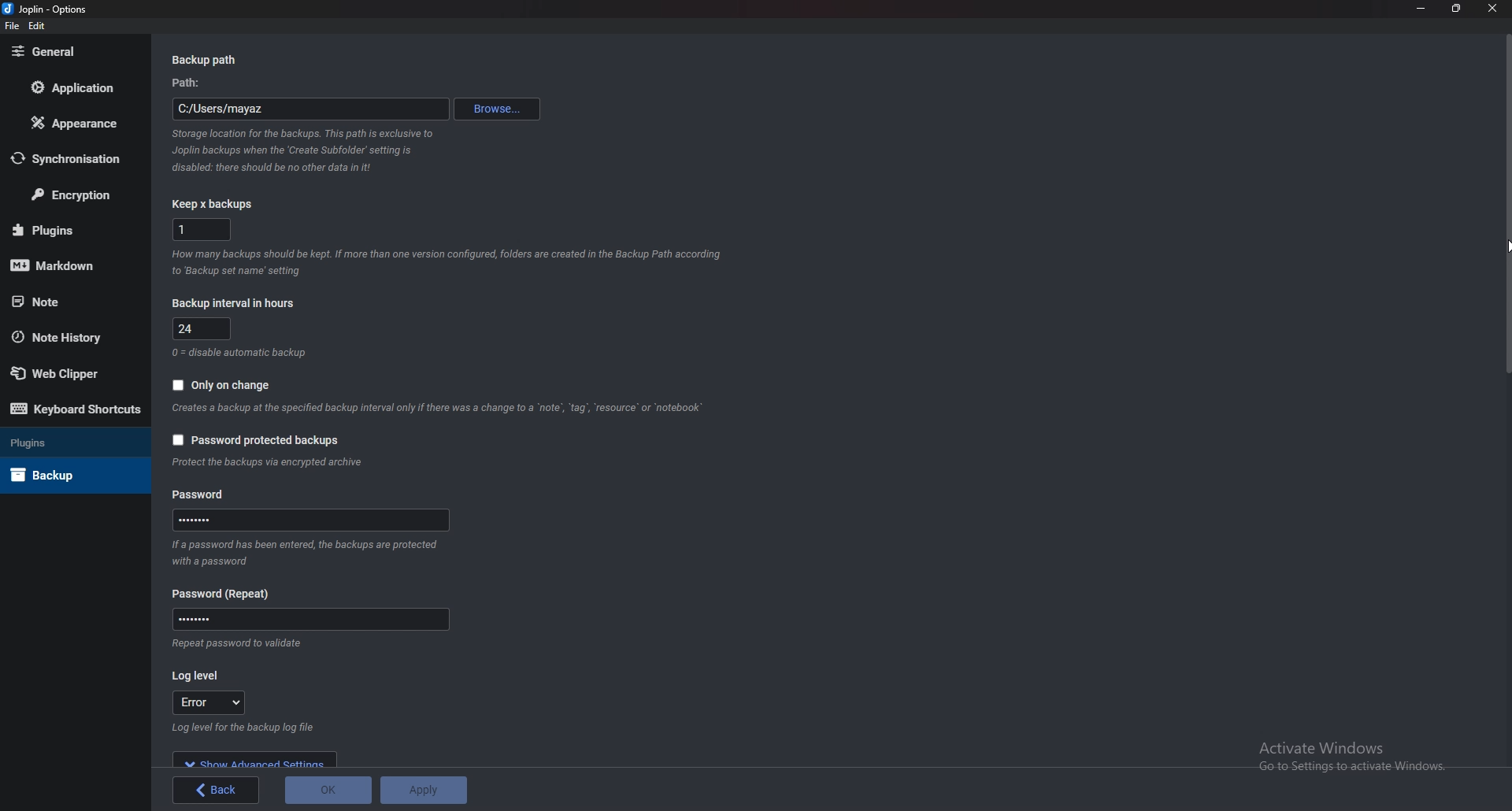 The height and width of the screenshot is (811, 1512). What do you see at coordinates (448, 261) in the screenshot?
I see `Info on backup numbers` at bounding box center [448, 261].